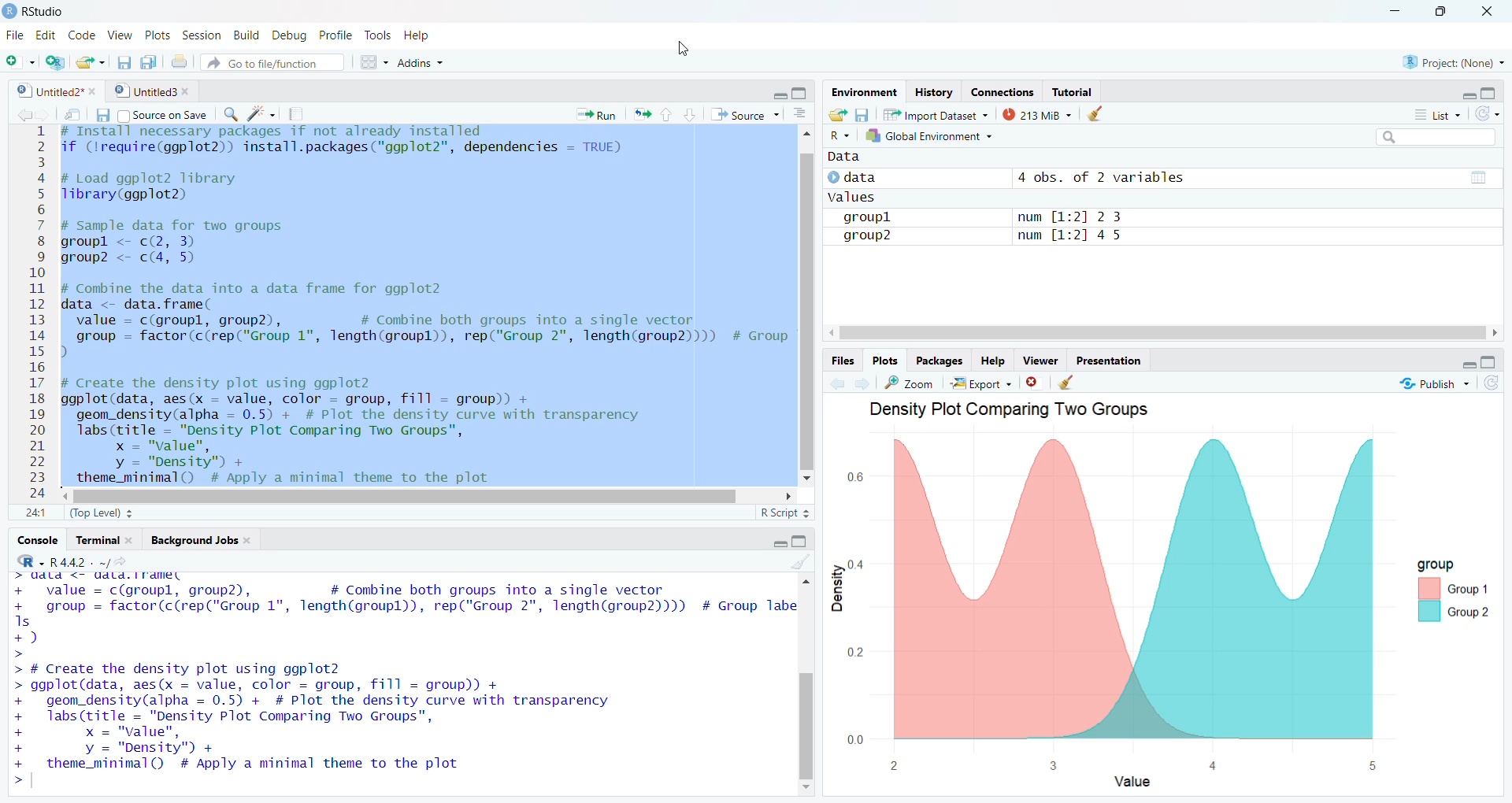 This screenshot has width=1512, height=803. What do you see at coordinates (55, 61) in the screenshot?
I see `create a project` at bounding box center [55, 61].